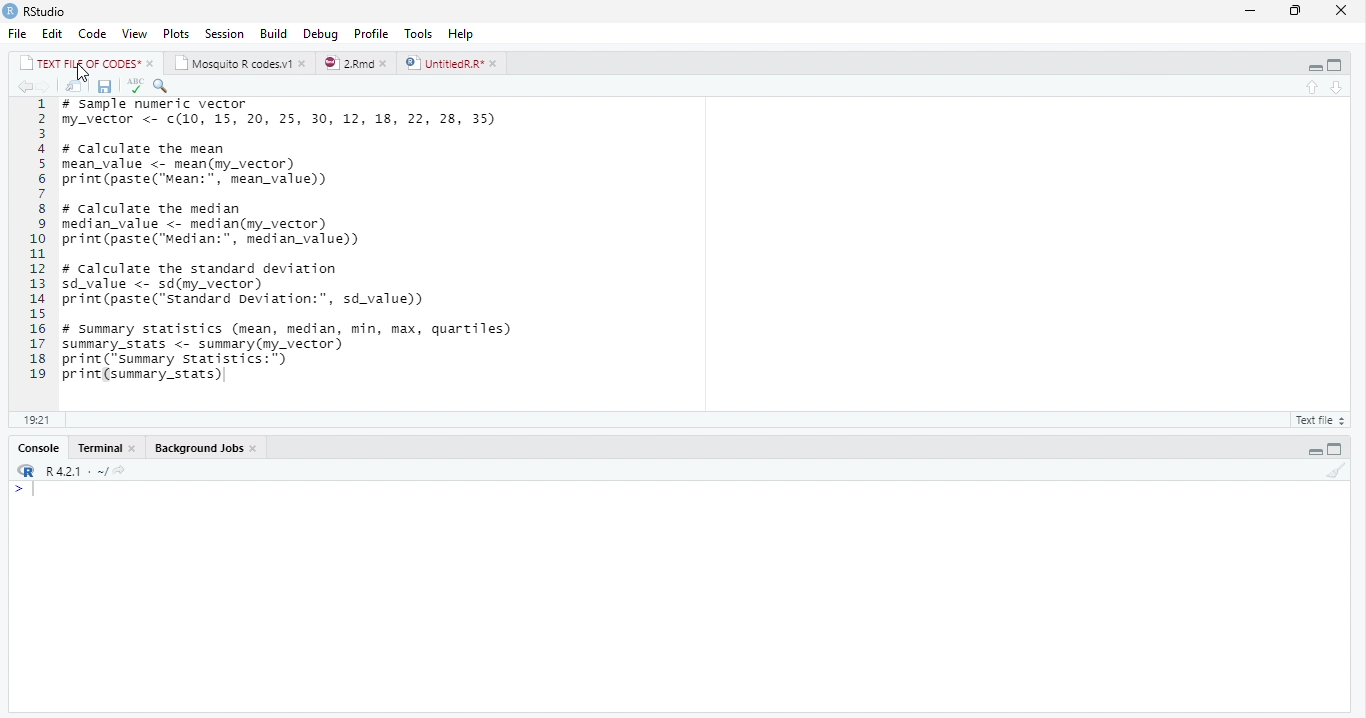 The image size is (1366, 718). I want to click on 1:1, so click(35, 420).